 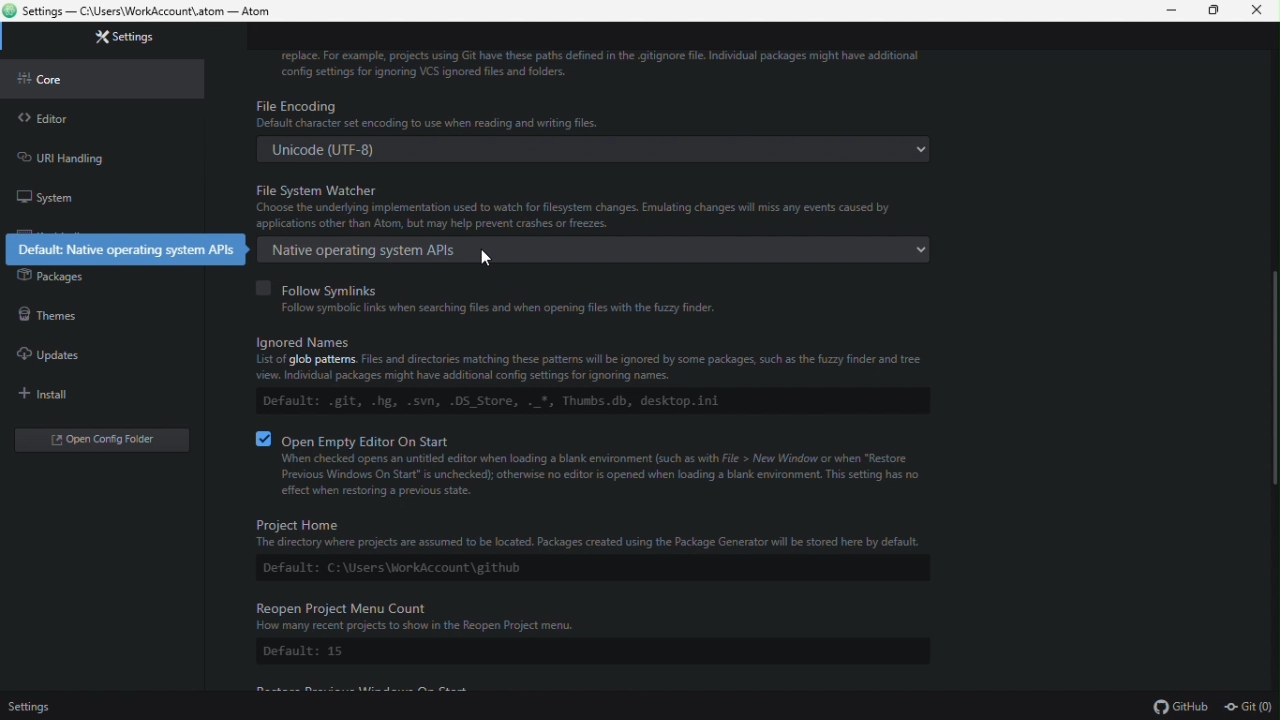 I want to click on Updates, so click(x=48, y=352).